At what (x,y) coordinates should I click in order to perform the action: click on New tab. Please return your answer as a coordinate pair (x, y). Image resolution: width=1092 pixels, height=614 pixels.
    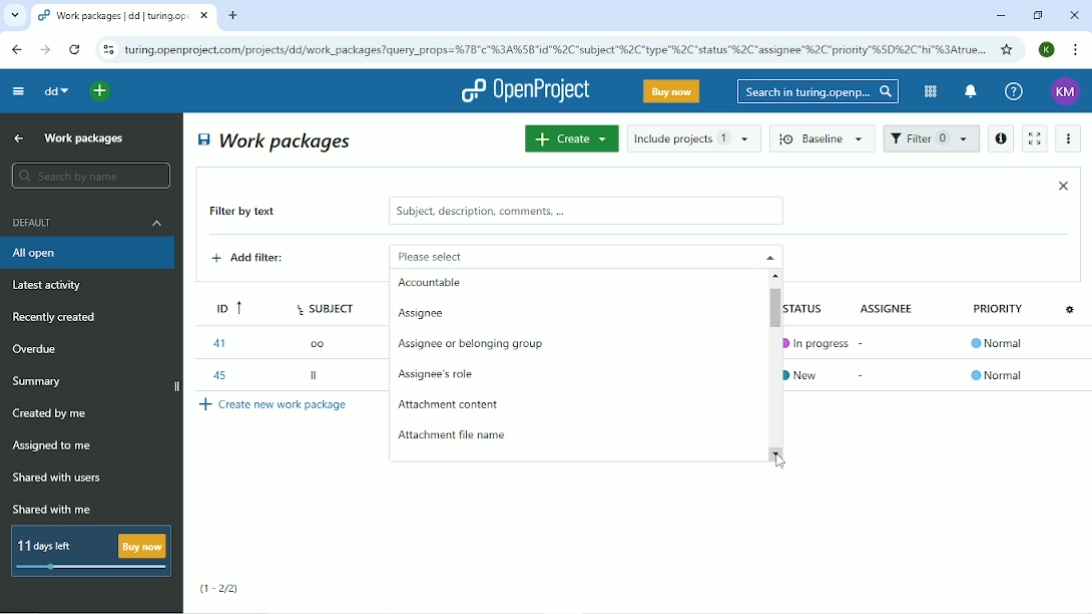
    Looking at the image, I should click on (233, 16).